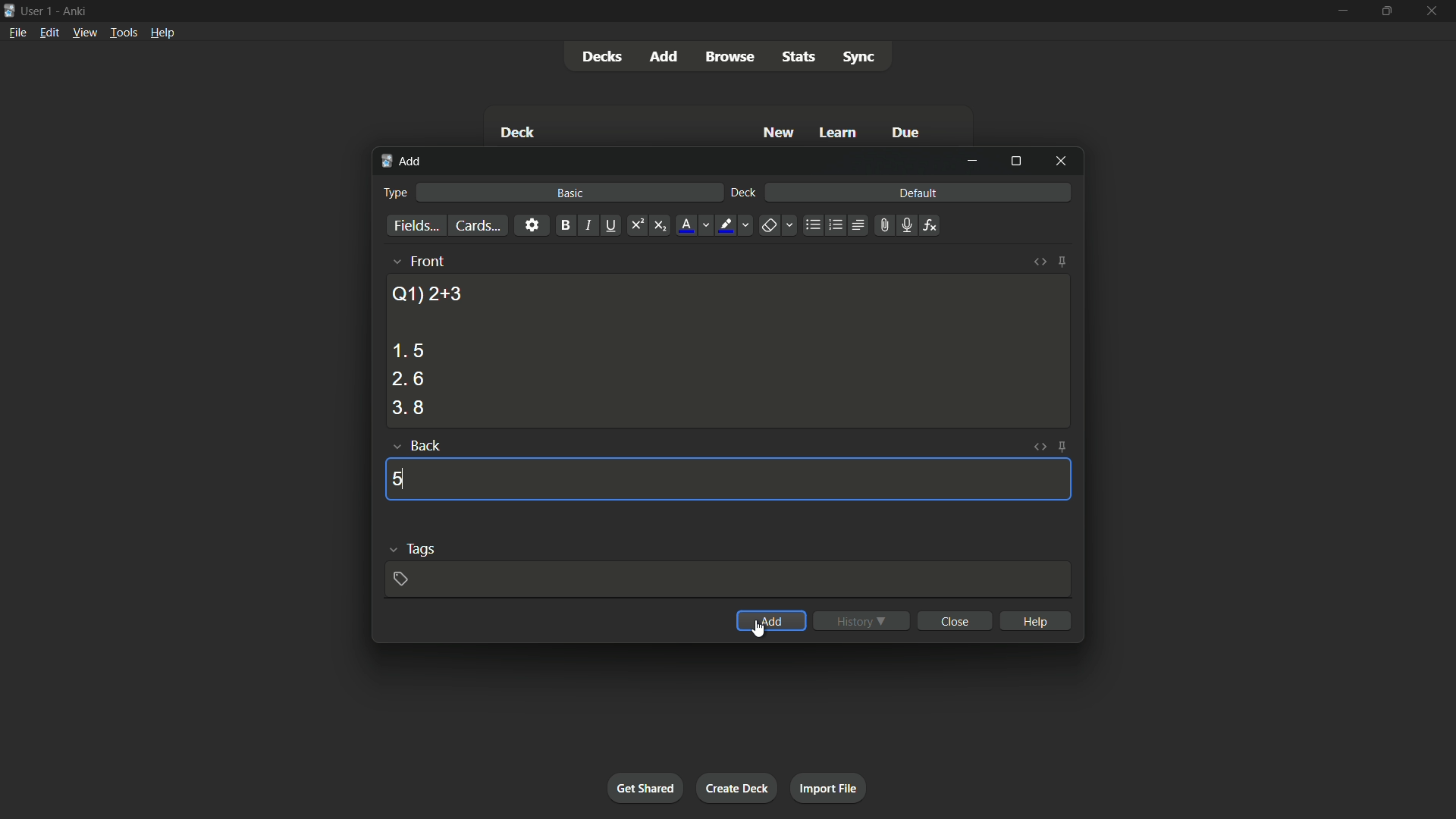 Image resolution: width=1456 pixels, height=819 pixels. Describe the element at coordinates (1433, 11) in the screenshot. I see `close app` at that location.